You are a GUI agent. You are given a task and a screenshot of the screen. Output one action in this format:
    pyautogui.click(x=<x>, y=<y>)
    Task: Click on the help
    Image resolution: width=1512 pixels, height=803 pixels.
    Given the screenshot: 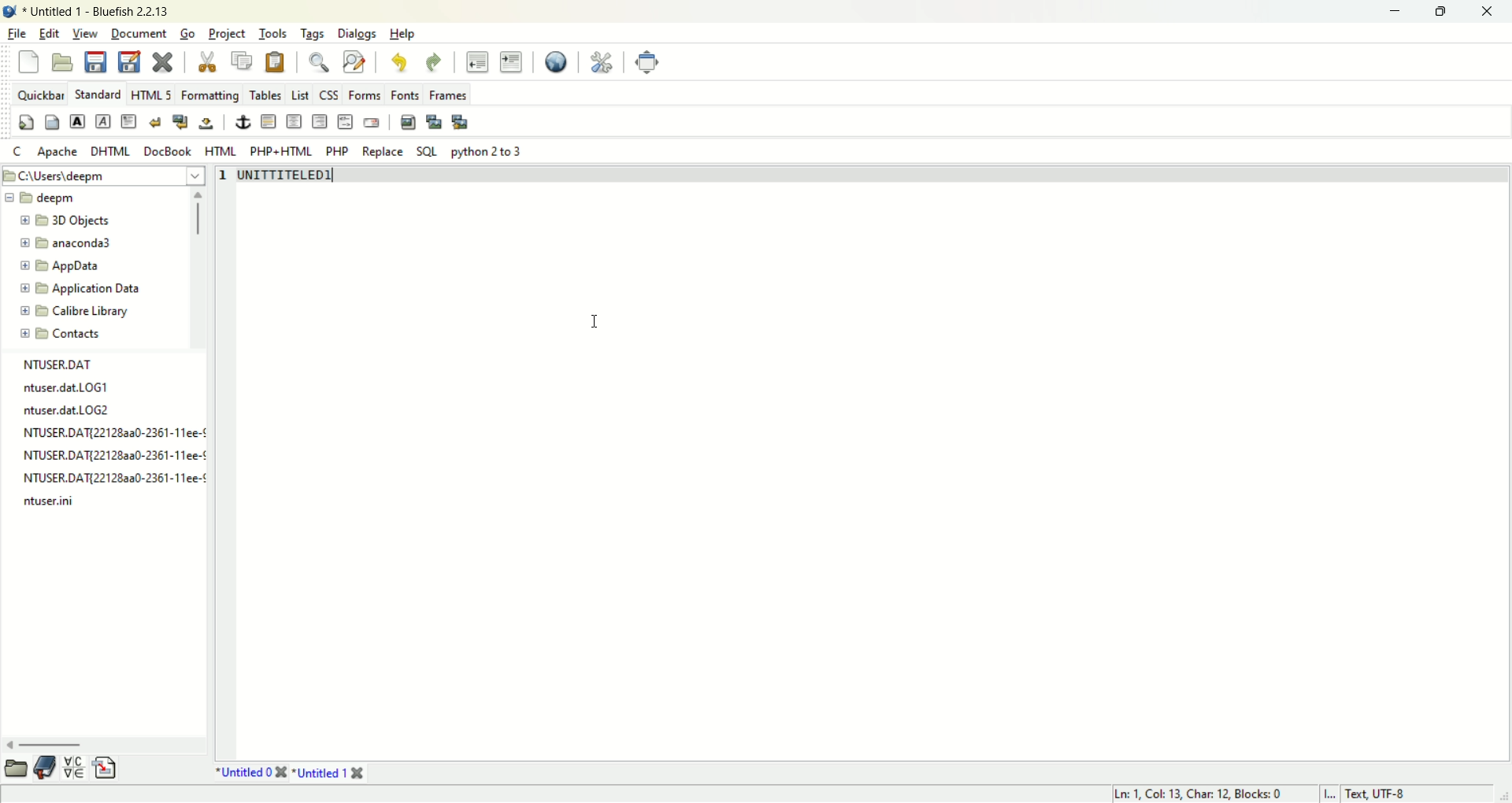 What is the action you would take?
    pyautogui.click(x=404, y=33)
    